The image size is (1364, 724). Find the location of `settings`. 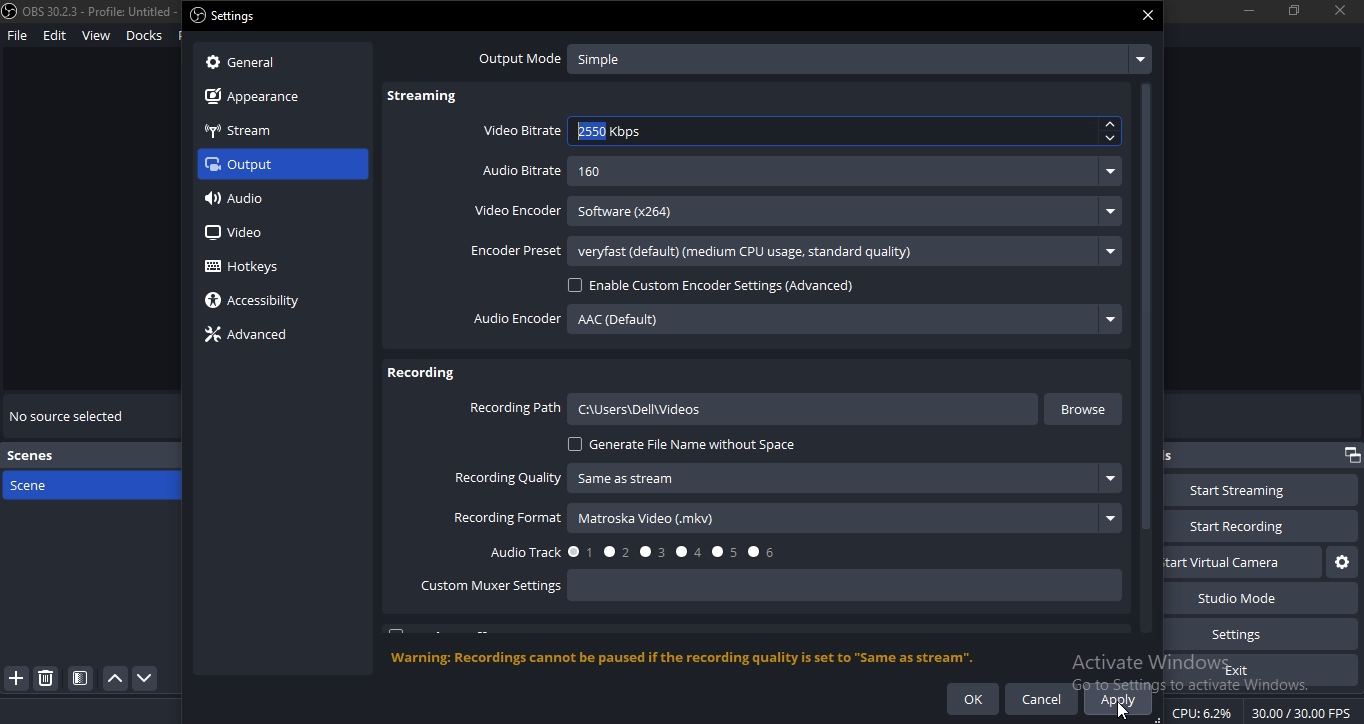

settings is located at coordinates (1252, 633).